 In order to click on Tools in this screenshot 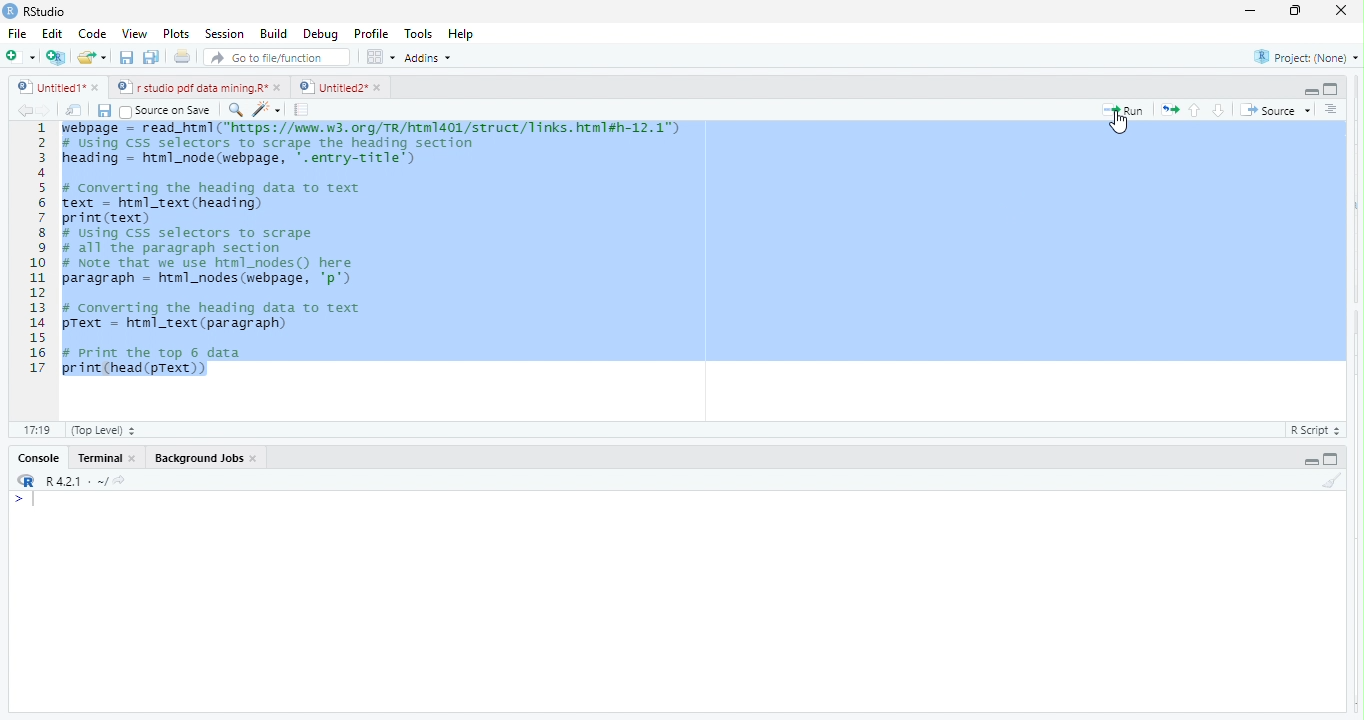, I will do `click(420, 33)`.